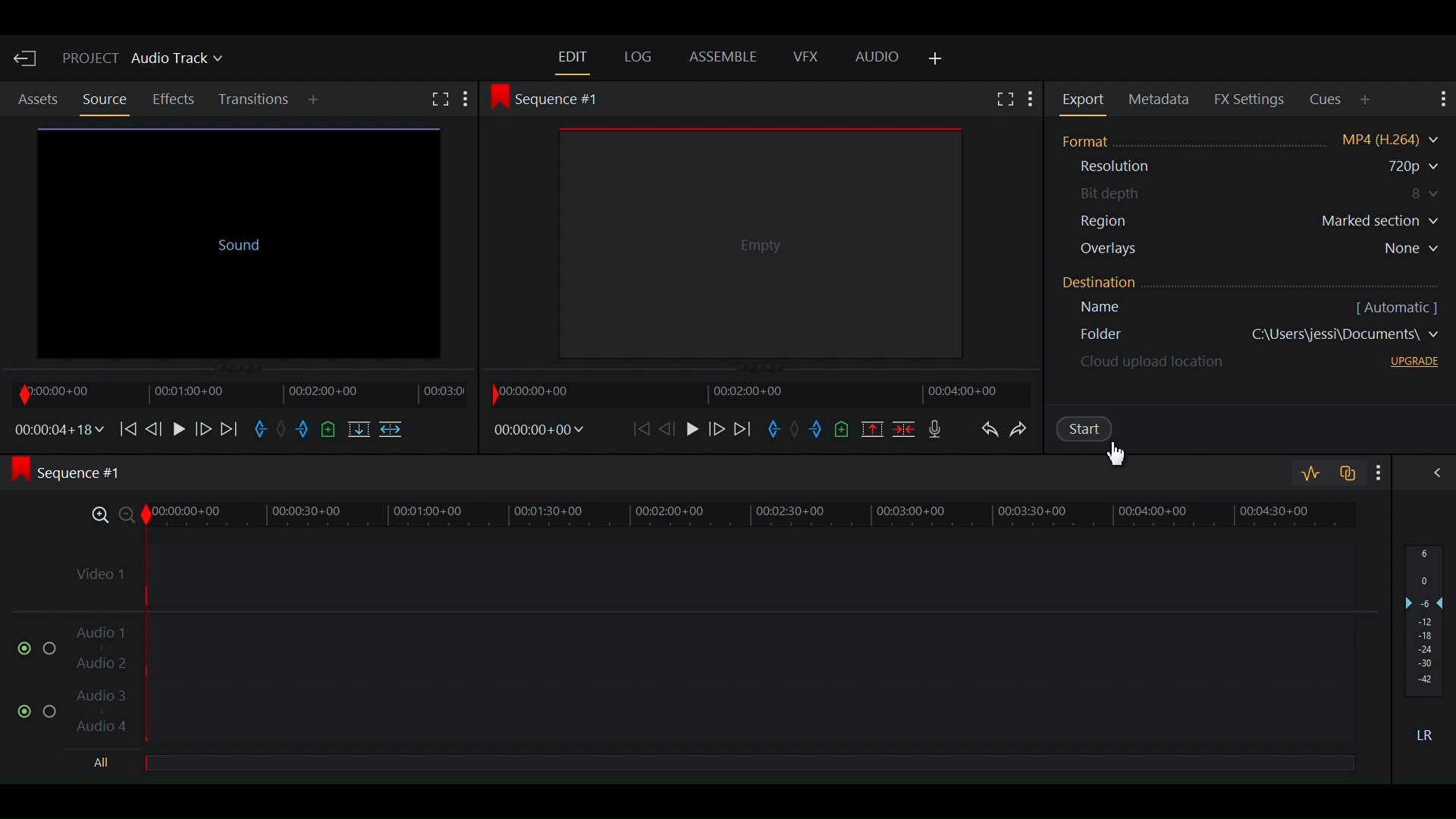 This screenshot has height=819, width=1456. Describe the element at coordinates (104, 99) in the screenshot. I see `Source` at that location.